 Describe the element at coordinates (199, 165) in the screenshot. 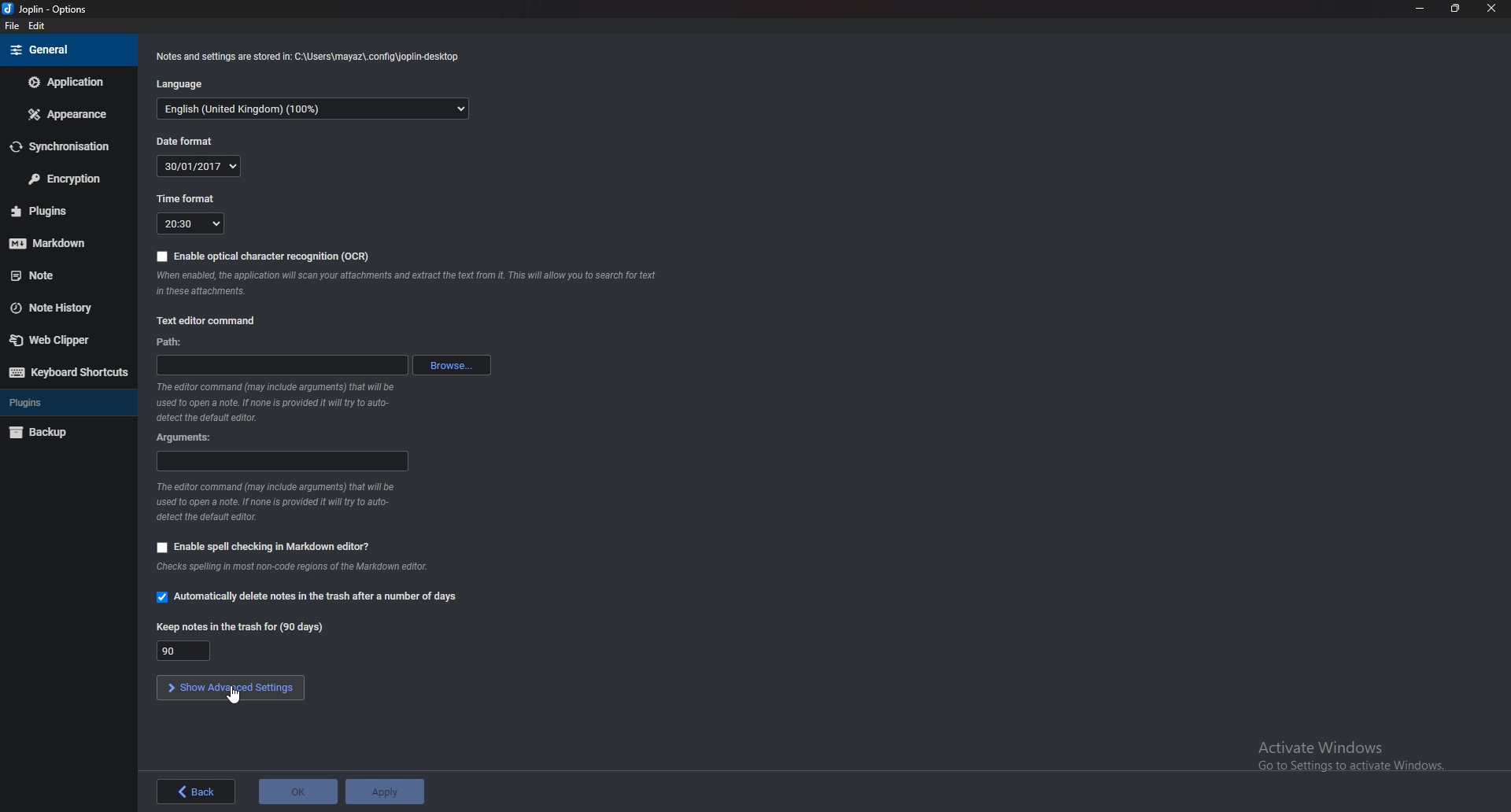

I see `30/01/2017` at that location.